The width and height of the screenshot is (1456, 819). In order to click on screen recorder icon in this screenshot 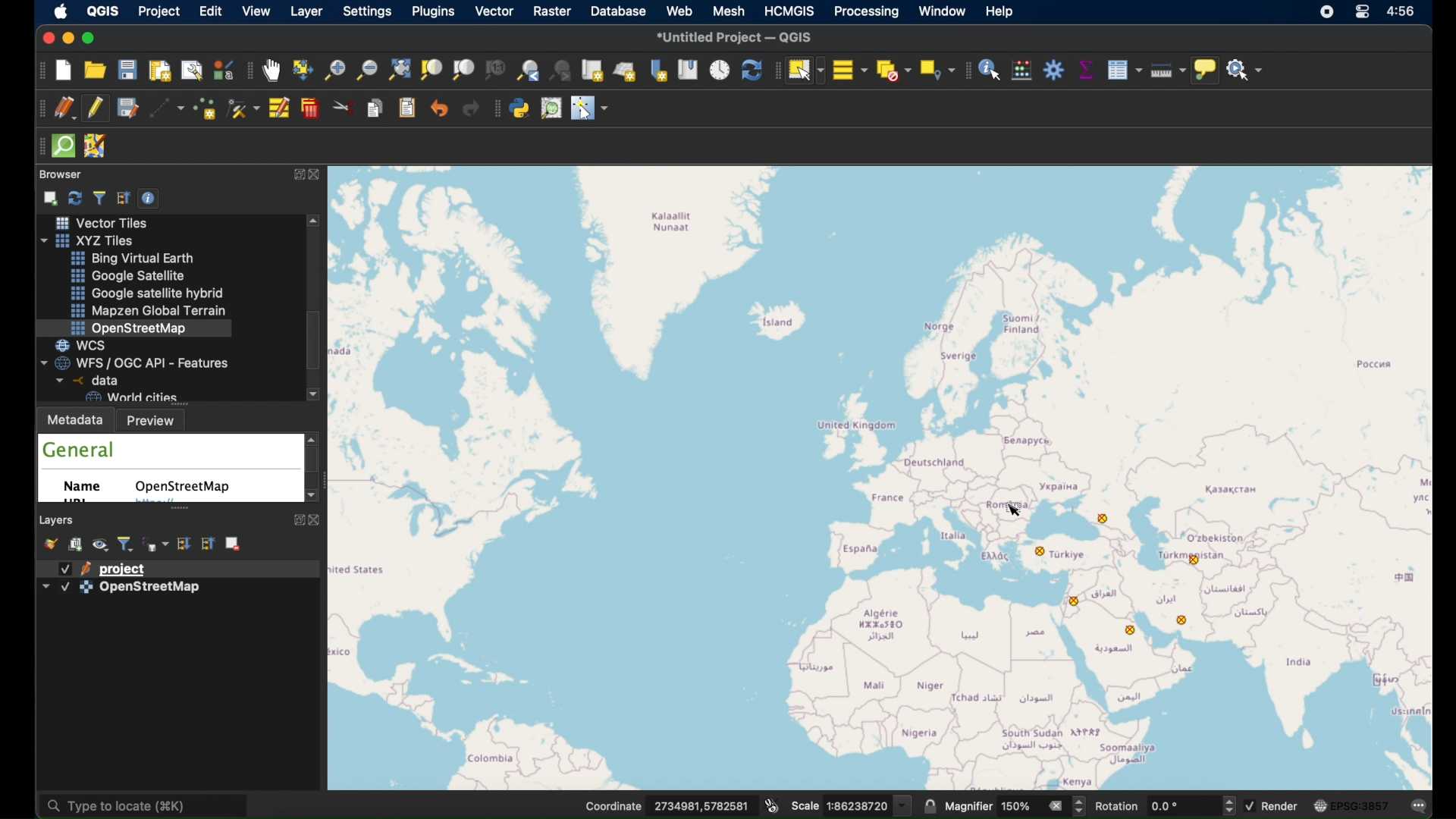, I will do `click(1327, 13)`.